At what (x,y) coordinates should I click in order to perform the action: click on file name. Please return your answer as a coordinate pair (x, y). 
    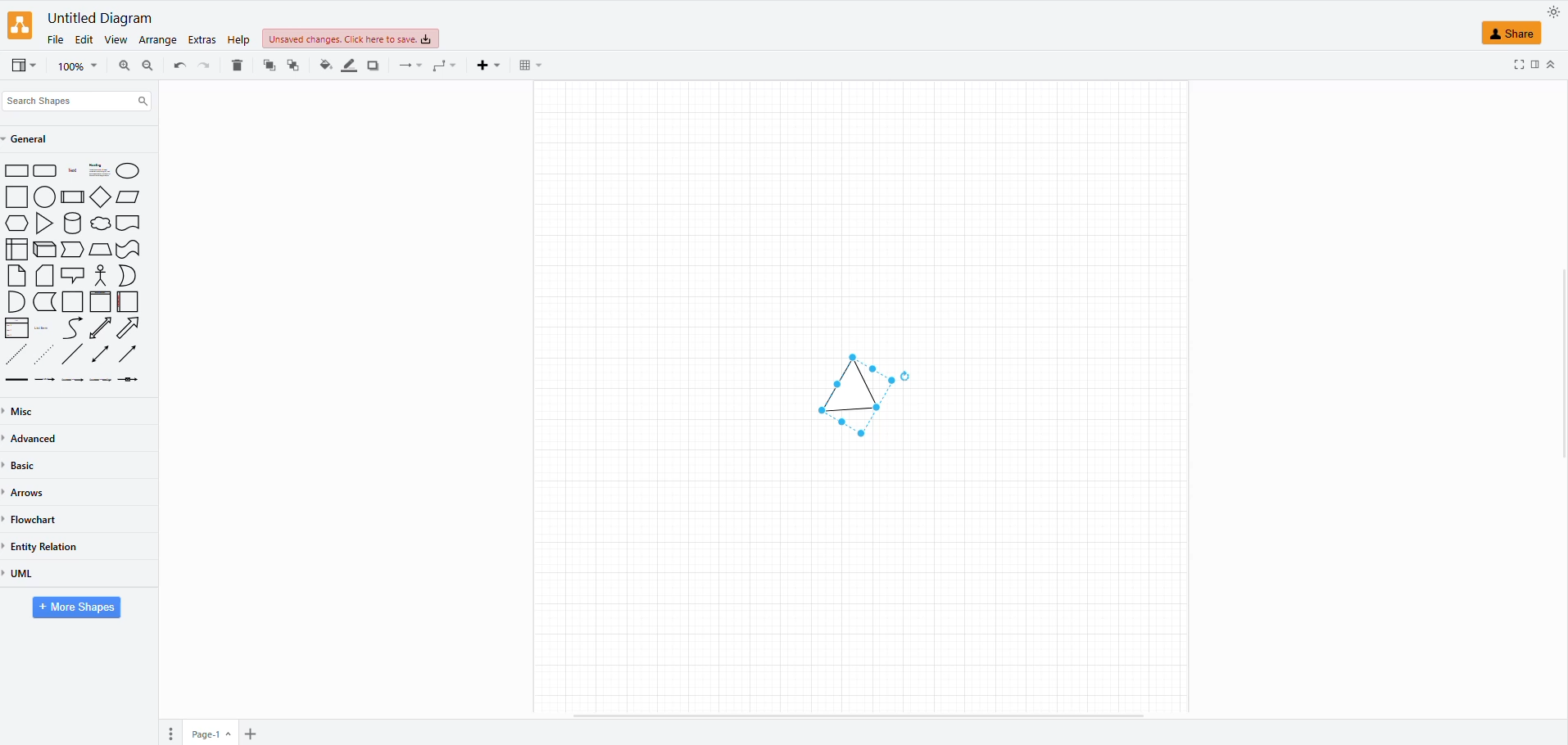
    Looking at the image, I should click on (97, 17).